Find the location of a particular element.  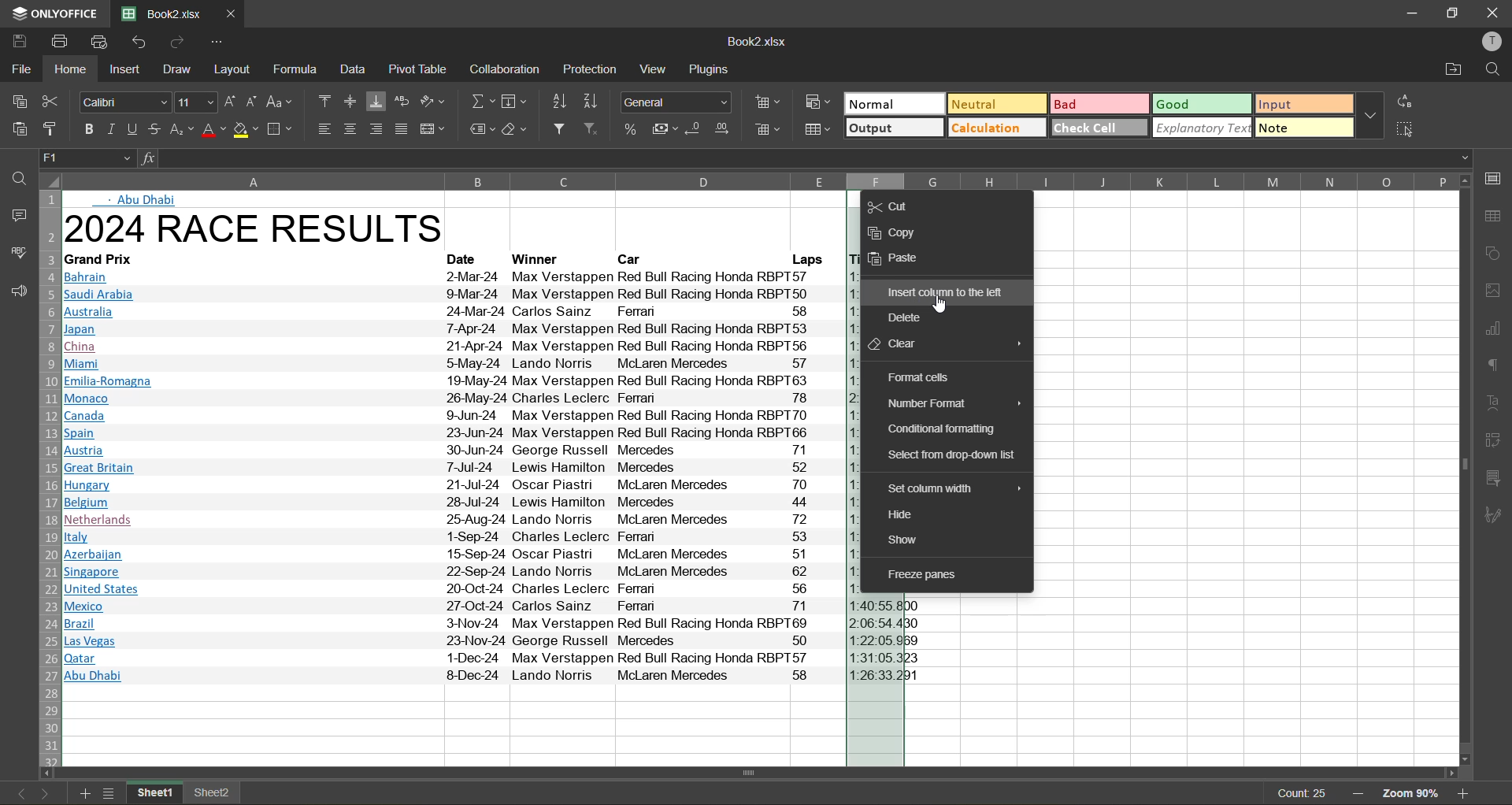

J Emilia-Romagna 19-May-24 Max Verstappen Red Bull Racing Honda RBPT63 1:25:25.252 is located at coordinates (452, 382).